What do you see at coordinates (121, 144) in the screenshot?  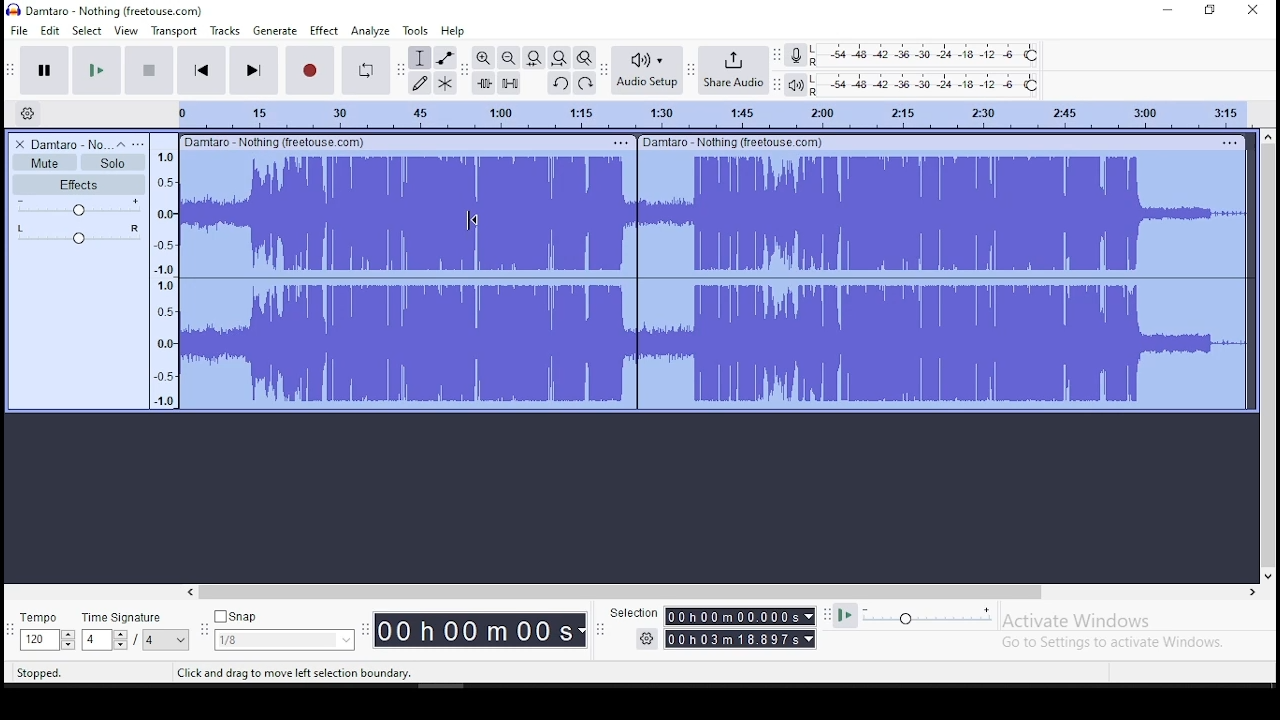 I see `collapse` at bounding box center [121, 144].